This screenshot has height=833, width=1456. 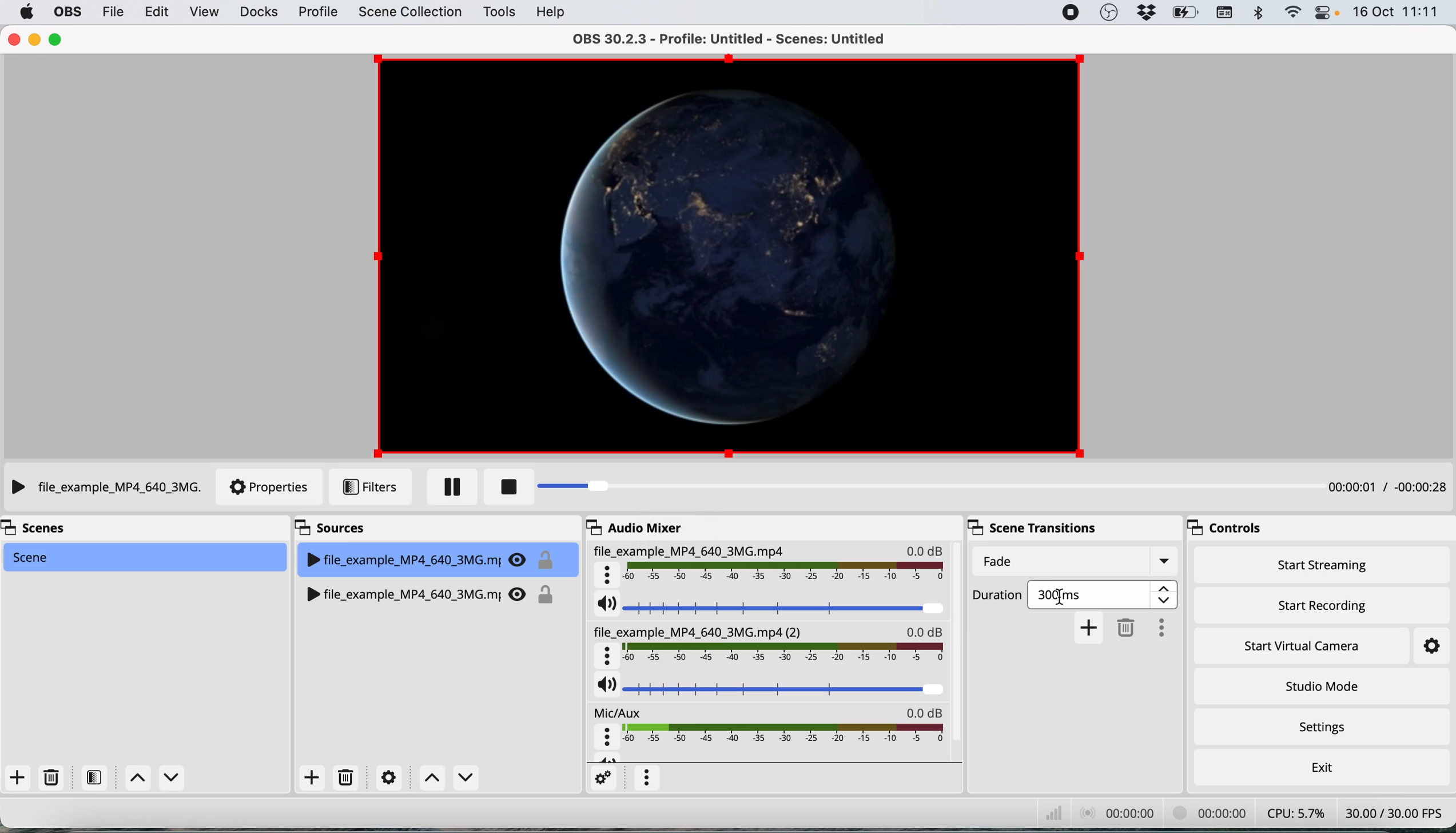 What do you see at coordinates (499, 13) in the screenshot?
I see `tools` at bounding box center [499, 13].